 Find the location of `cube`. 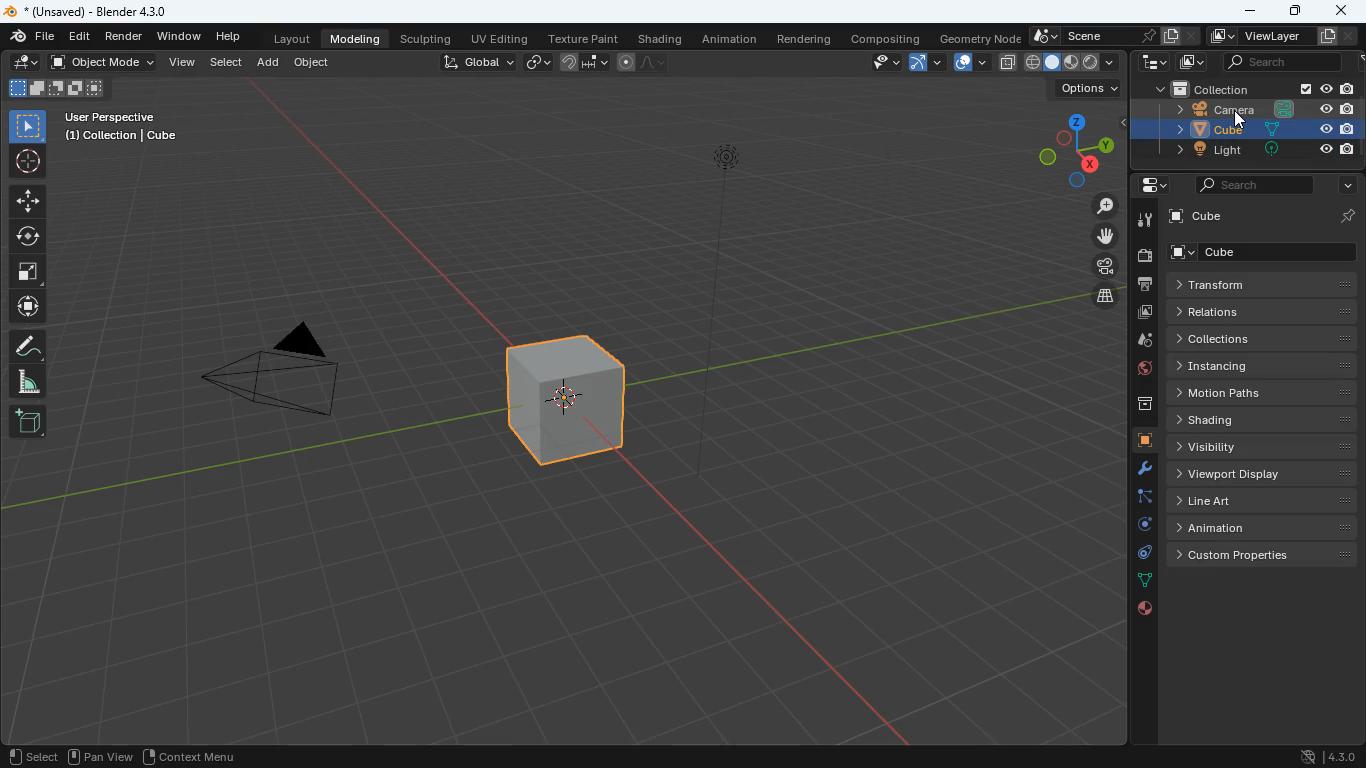

cube is located at coordinates (572, 397).